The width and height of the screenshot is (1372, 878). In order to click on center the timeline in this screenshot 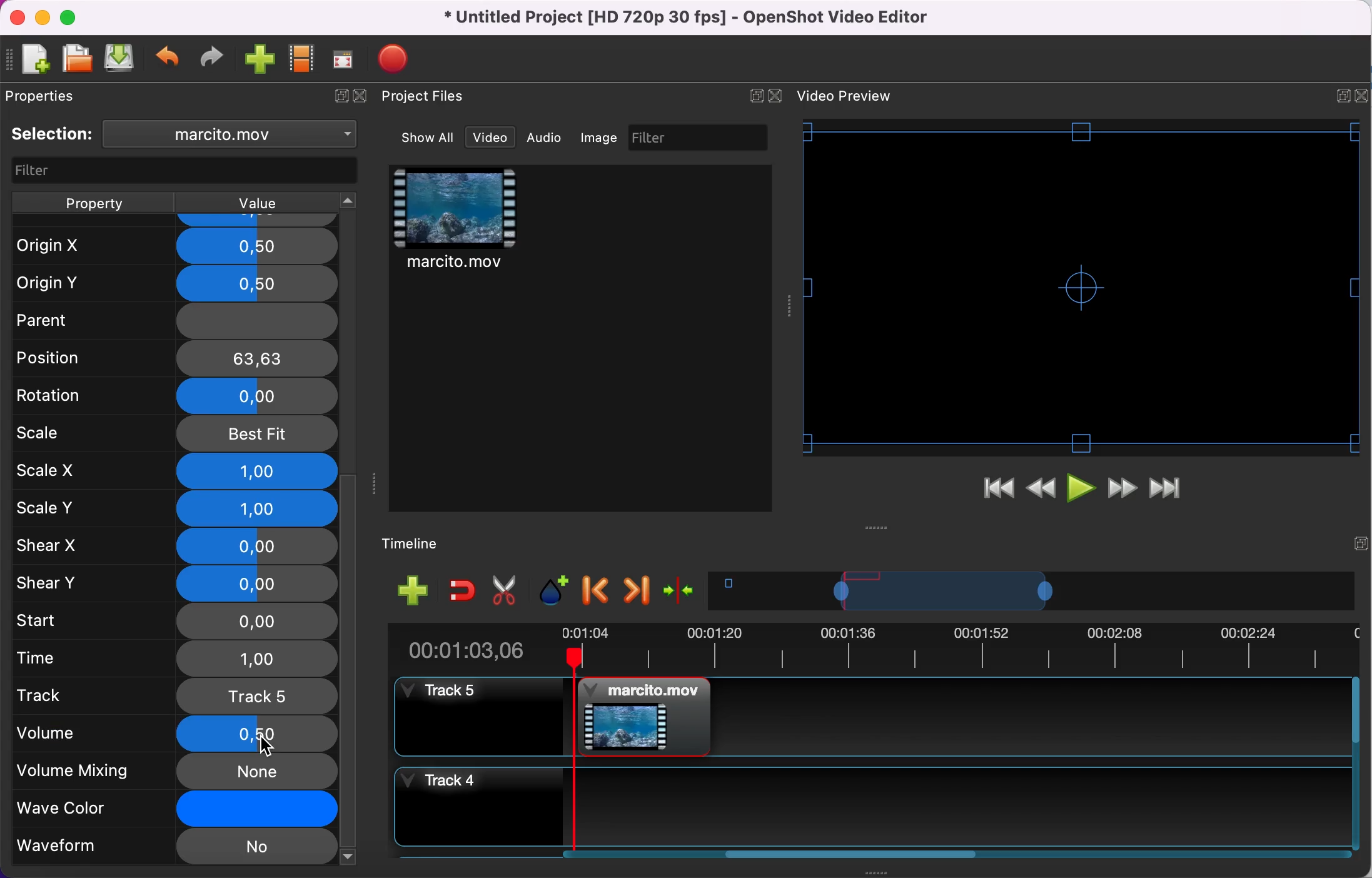, I will do `click(682, 589)`.